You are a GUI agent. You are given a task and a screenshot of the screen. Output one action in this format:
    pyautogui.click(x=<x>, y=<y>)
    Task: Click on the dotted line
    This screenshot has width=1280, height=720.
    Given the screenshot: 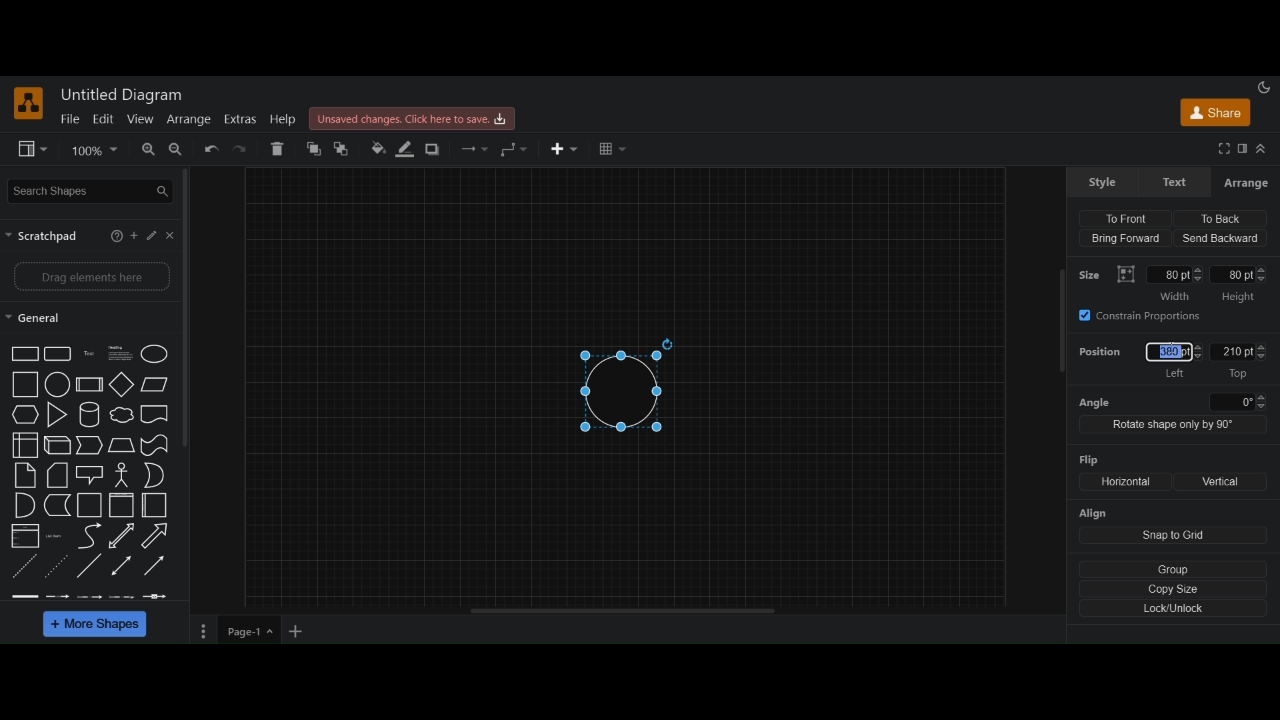 What is the action you would take?
    pyautogui.click(x=25, y=568)
    